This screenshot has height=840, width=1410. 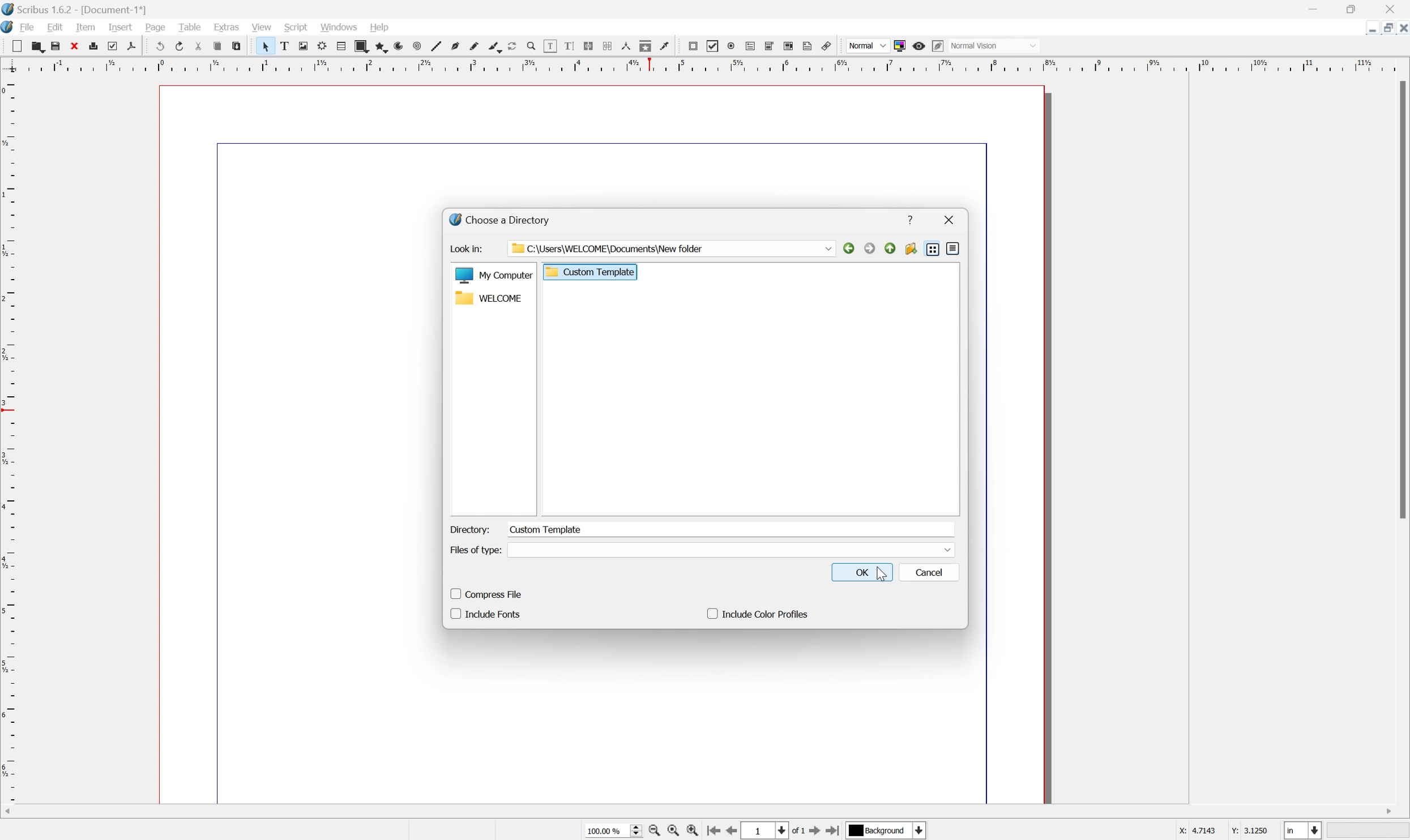 What do you see at coordinates (911, 250) in the screenshot?
I see `create new folder` at bounding box center [911, 250].